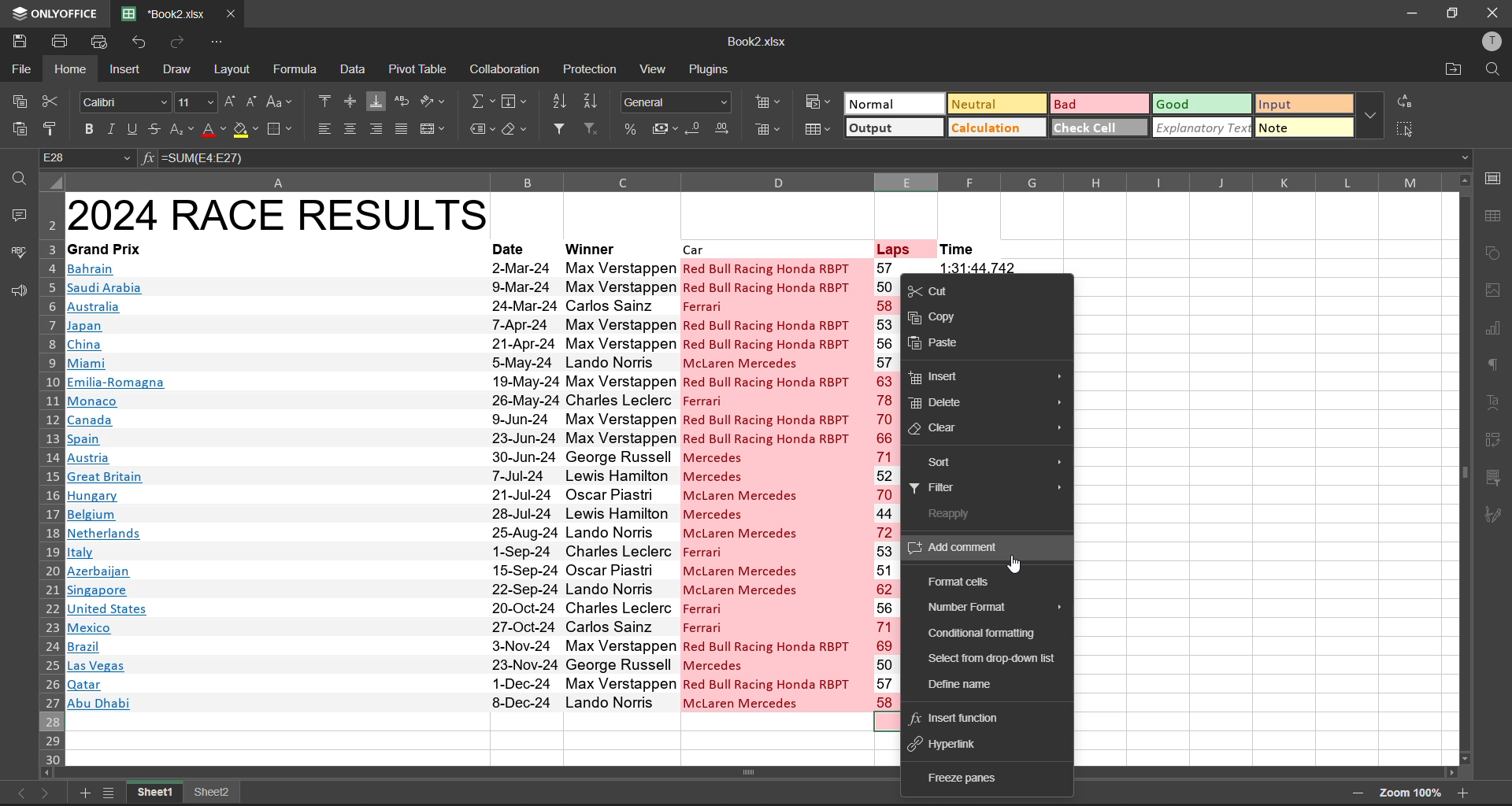  What do you see at coordinates (966, 779) in the screenshot?
I see `freeze panes` at bounding box center [966, 779].